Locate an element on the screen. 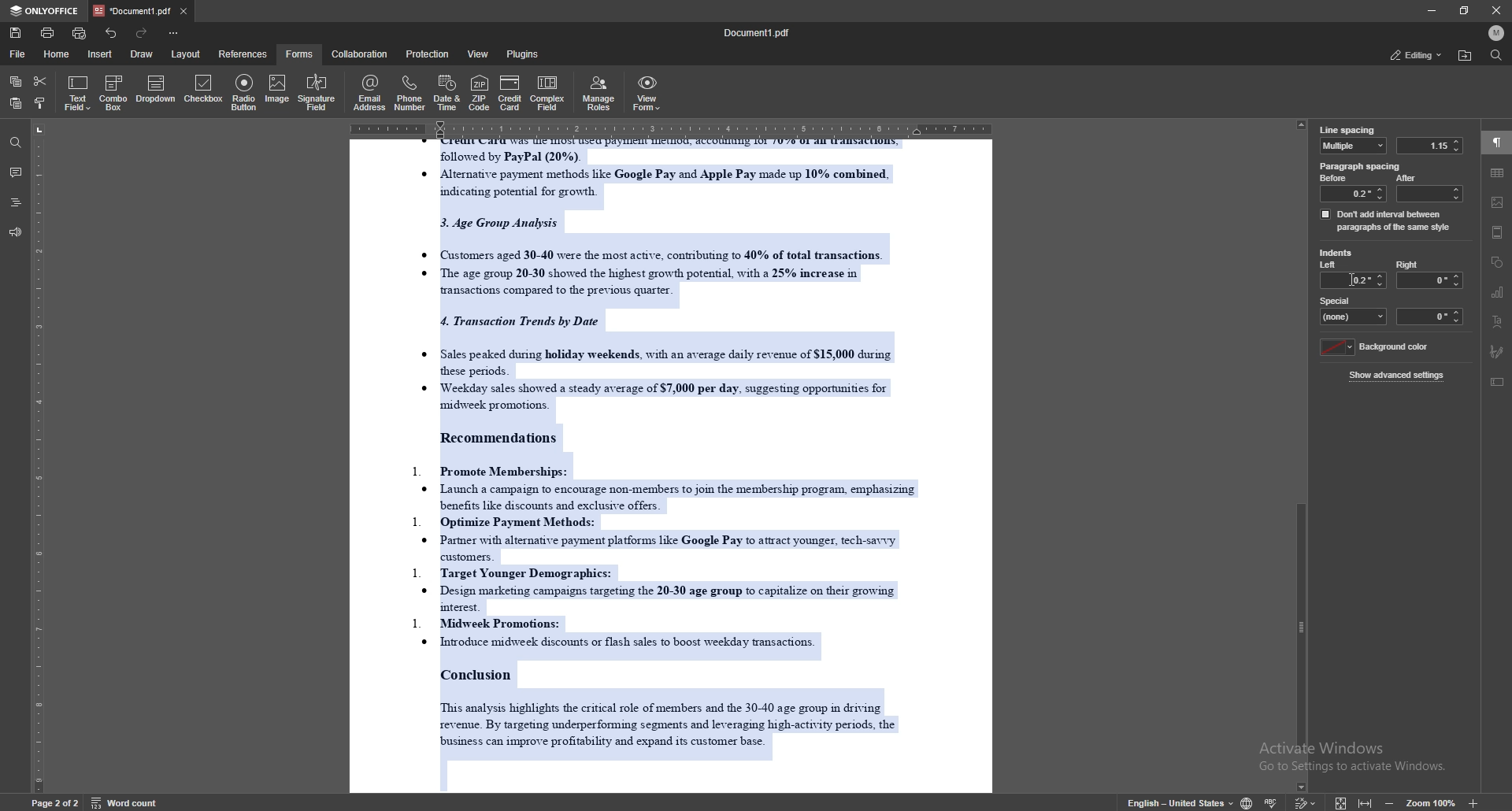  right indent is located at coordinates (1429, 274).